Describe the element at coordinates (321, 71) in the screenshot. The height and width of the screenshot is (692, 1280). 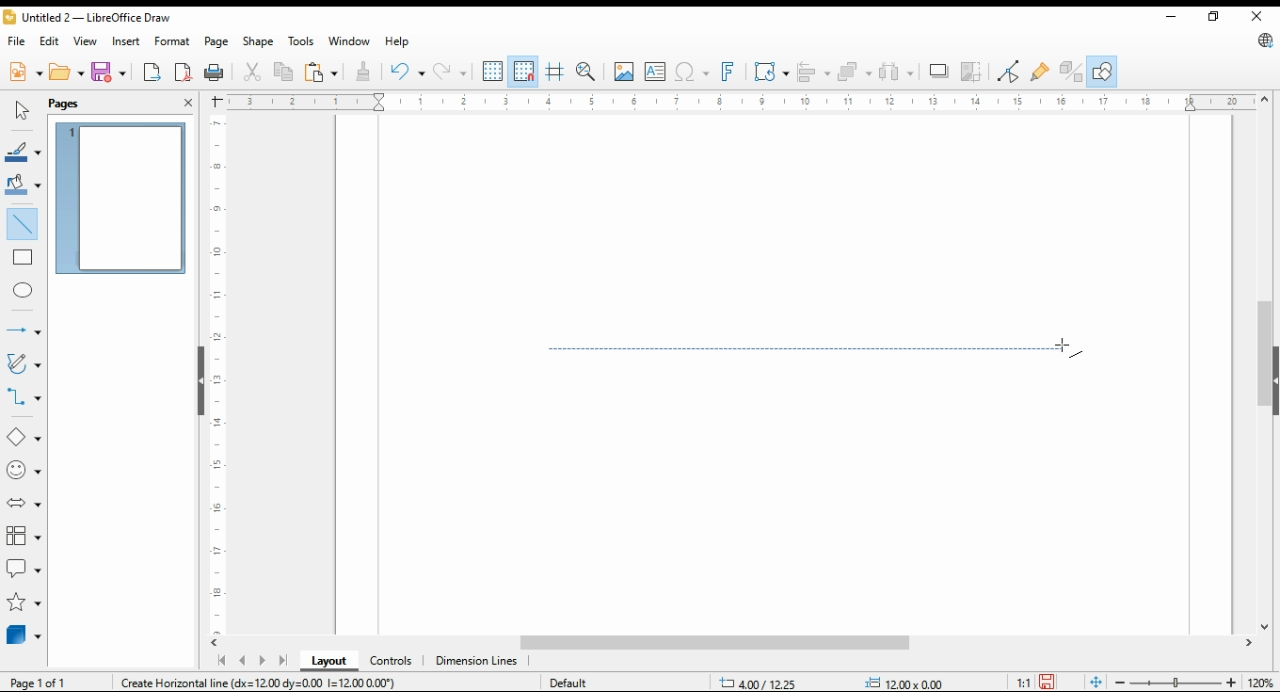
I see `paste` at that location.